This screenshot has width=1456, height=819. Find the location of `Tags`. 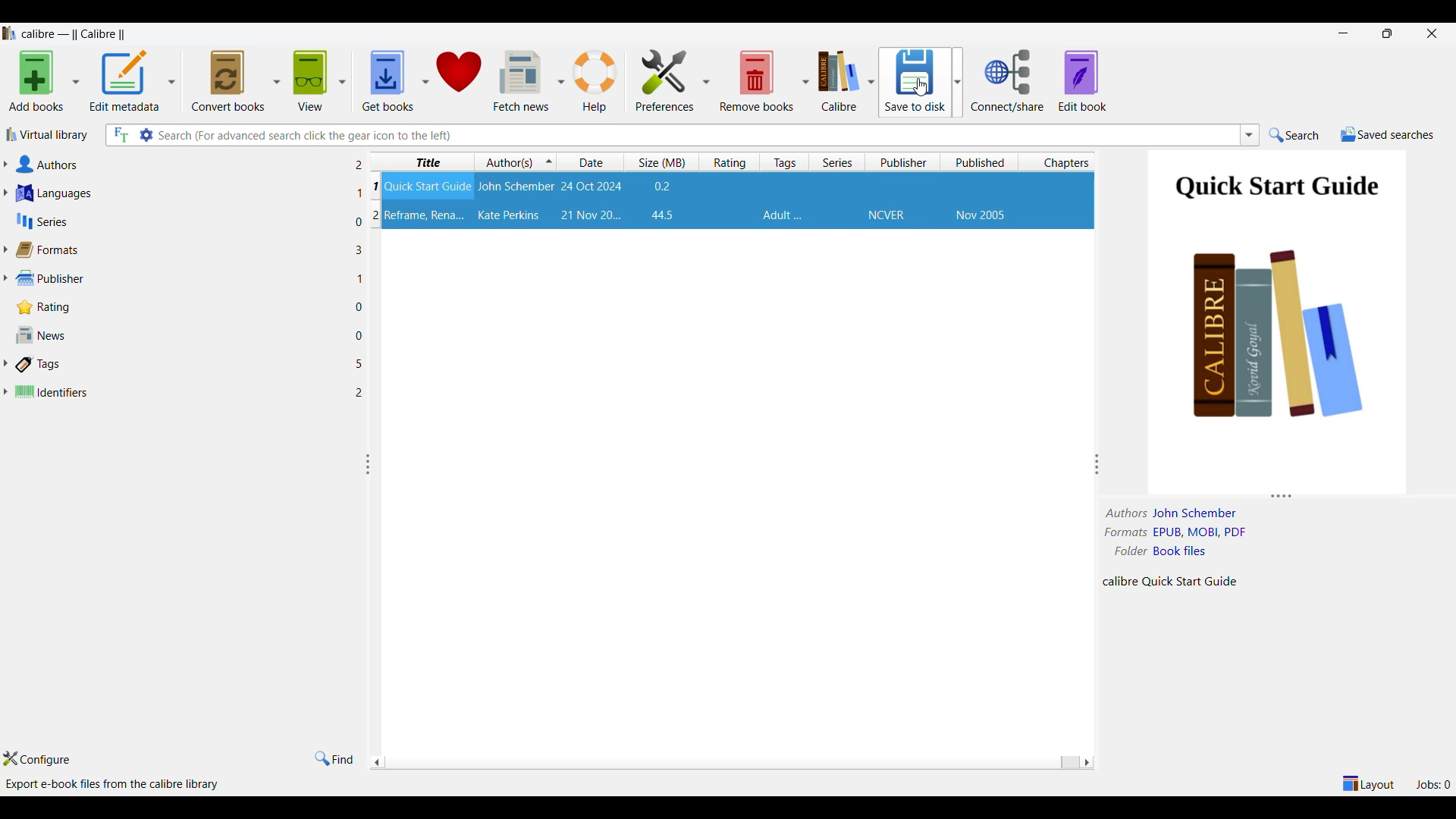

Tags is located at coordinates (174, 364).